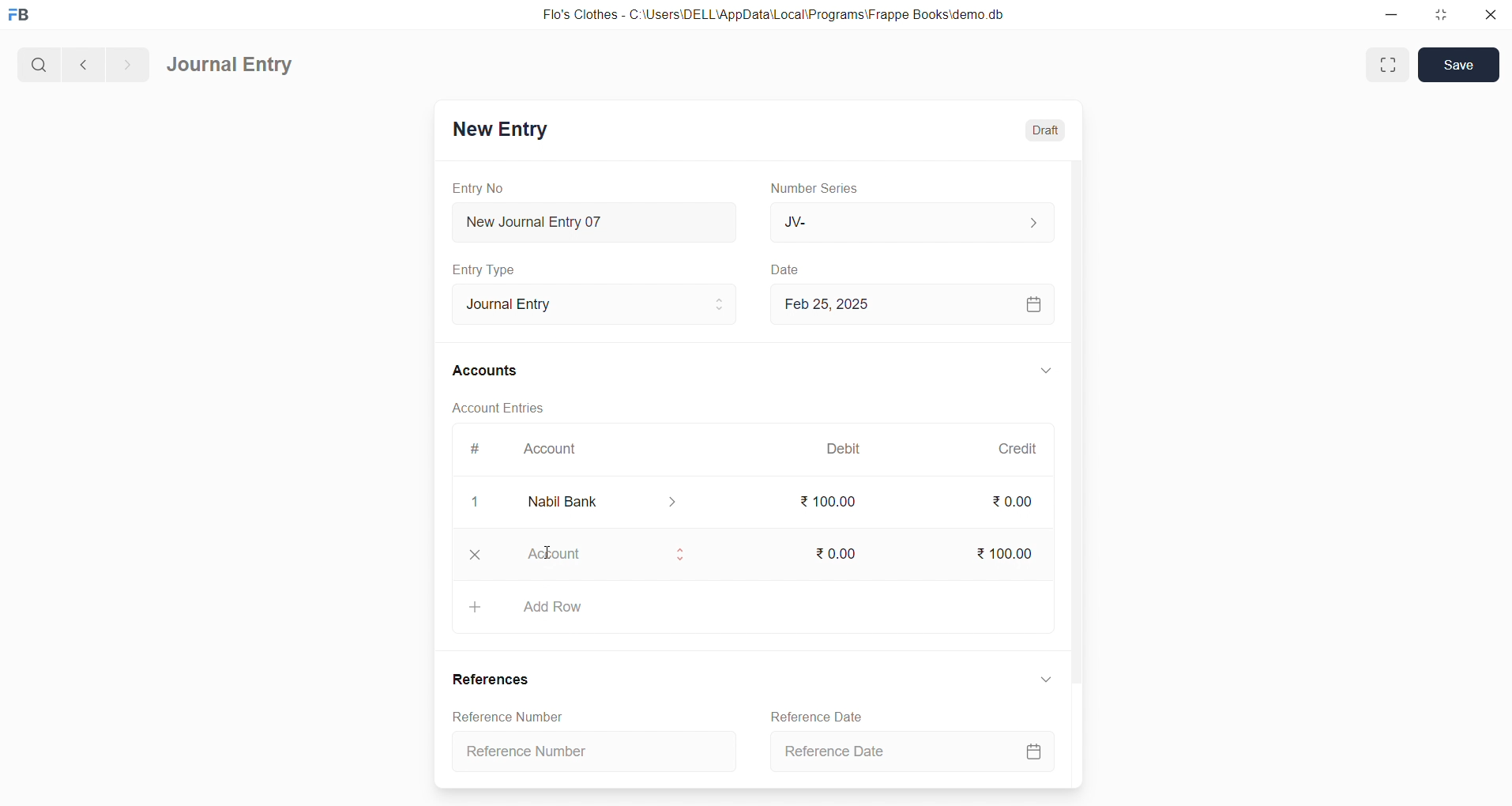 This screenshot has width=1512, height=806. Describe the element at coordinates (1011, 502) in the screenshot. I see `₹ 0.00` at that location.